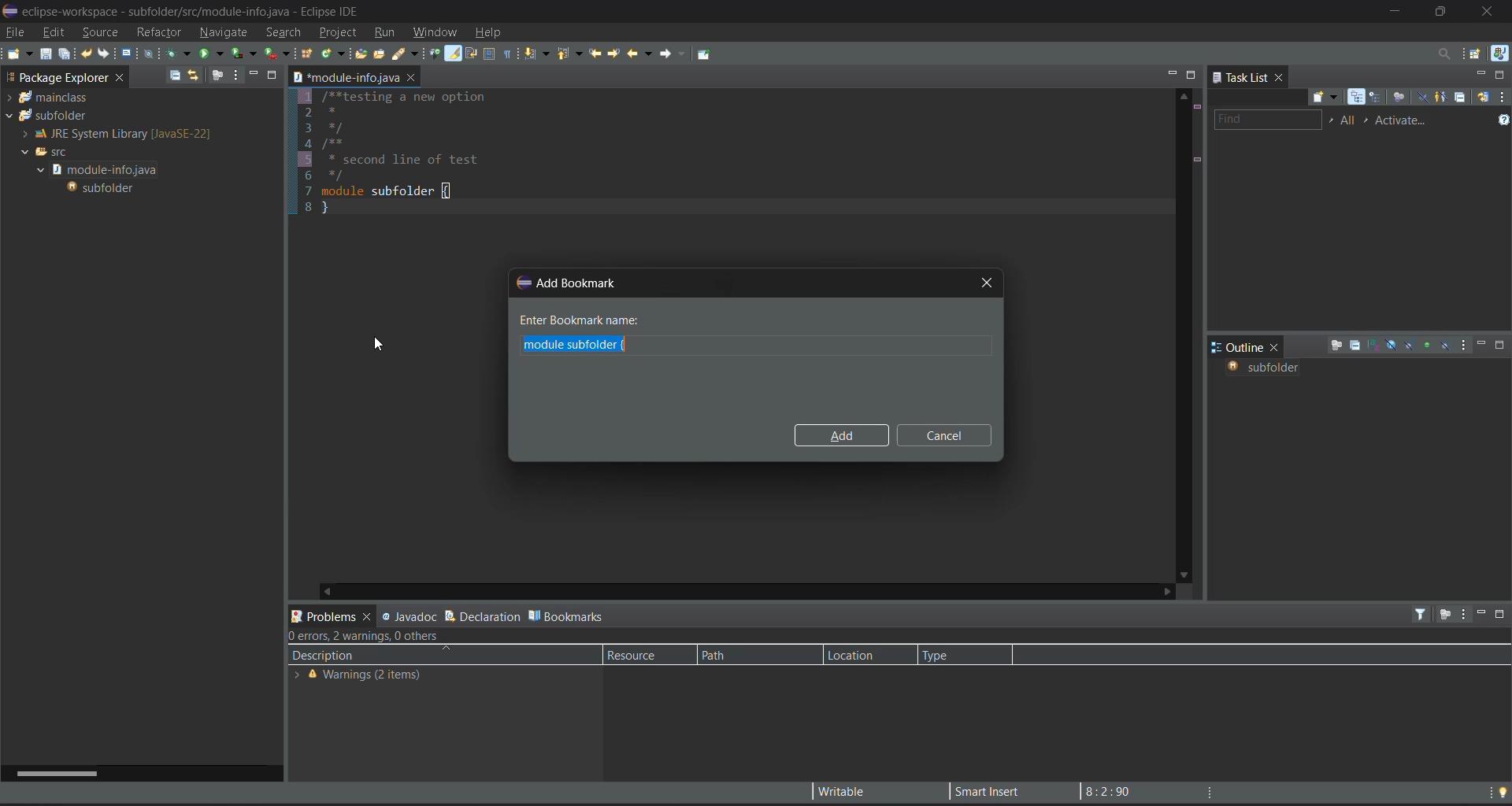  I want to click on show only my tasks, so click(1442, 97).